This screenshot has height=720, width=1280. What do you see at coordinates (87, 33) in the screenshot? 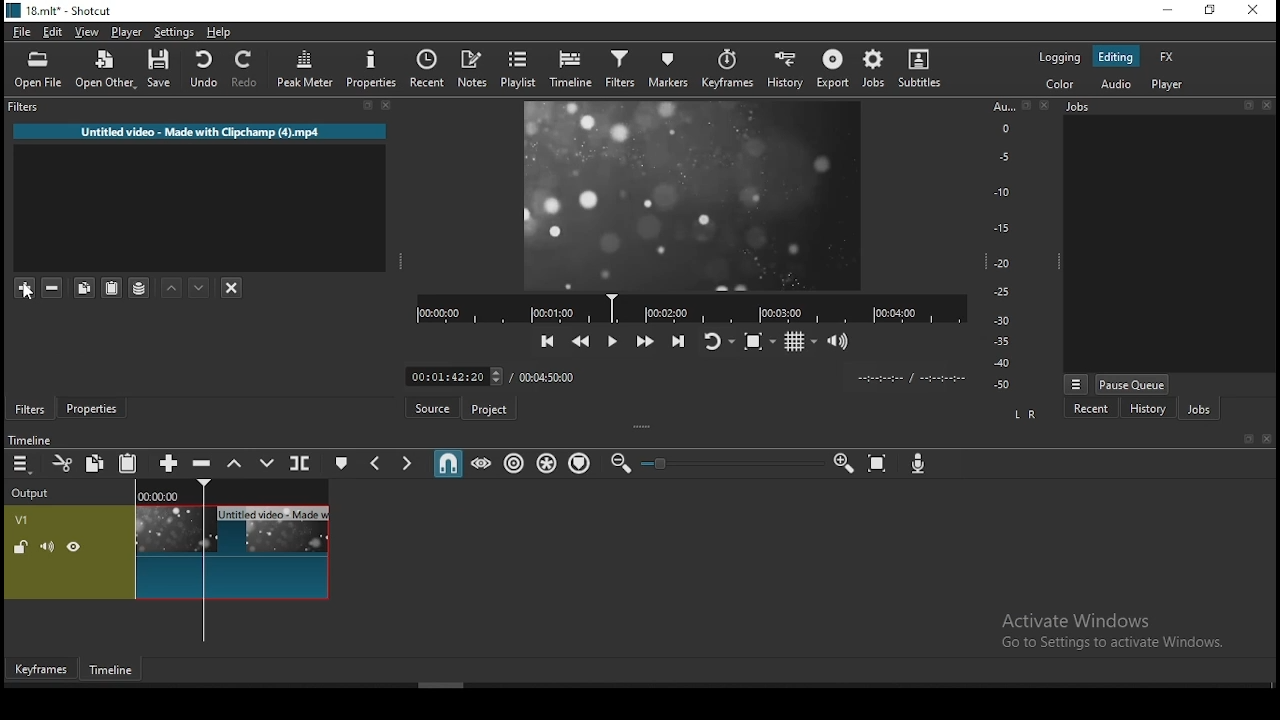
I see `view` at bounding box center [87, 33].